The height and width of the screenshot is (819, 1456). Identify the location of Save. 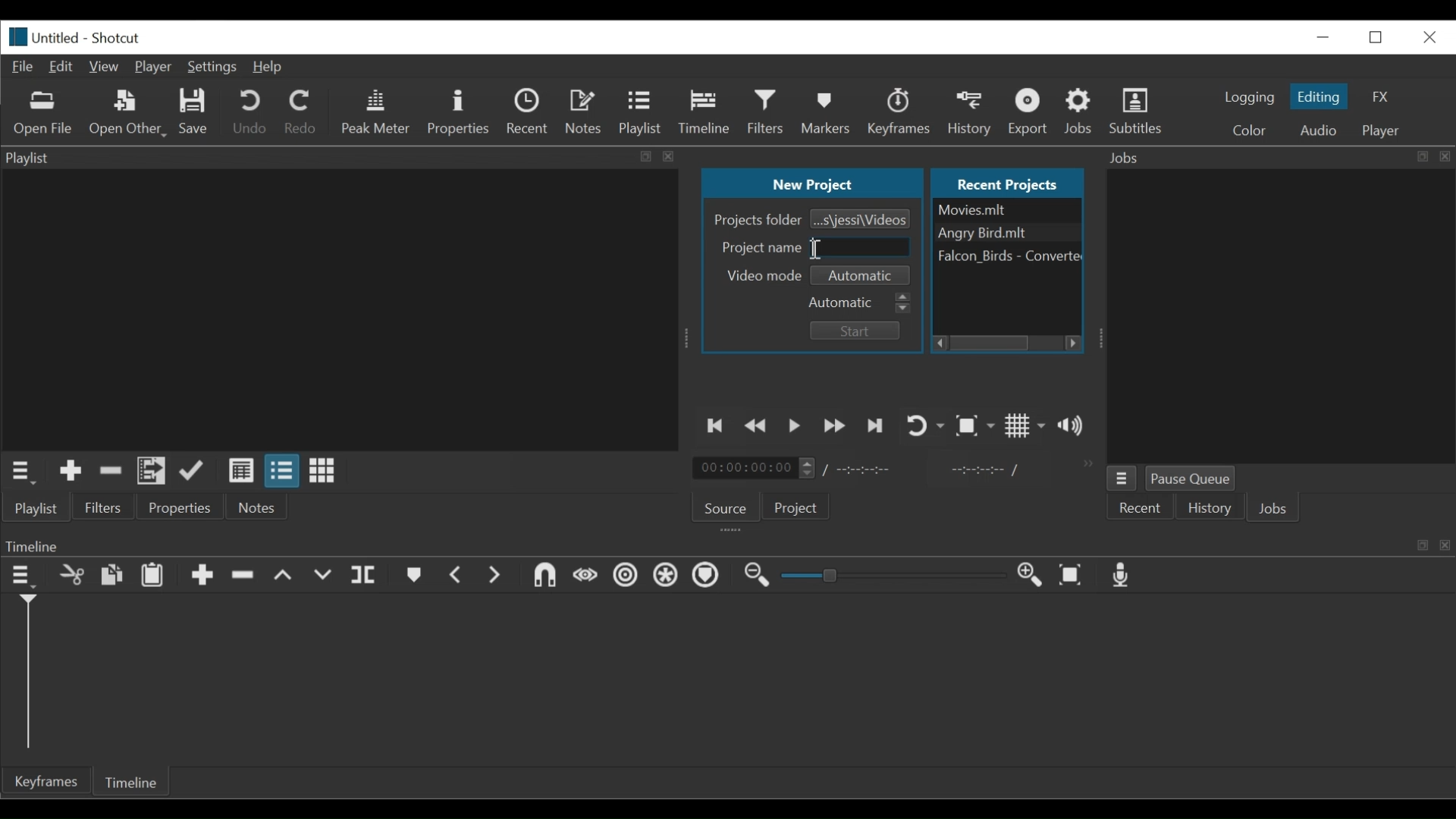
(194, 113).